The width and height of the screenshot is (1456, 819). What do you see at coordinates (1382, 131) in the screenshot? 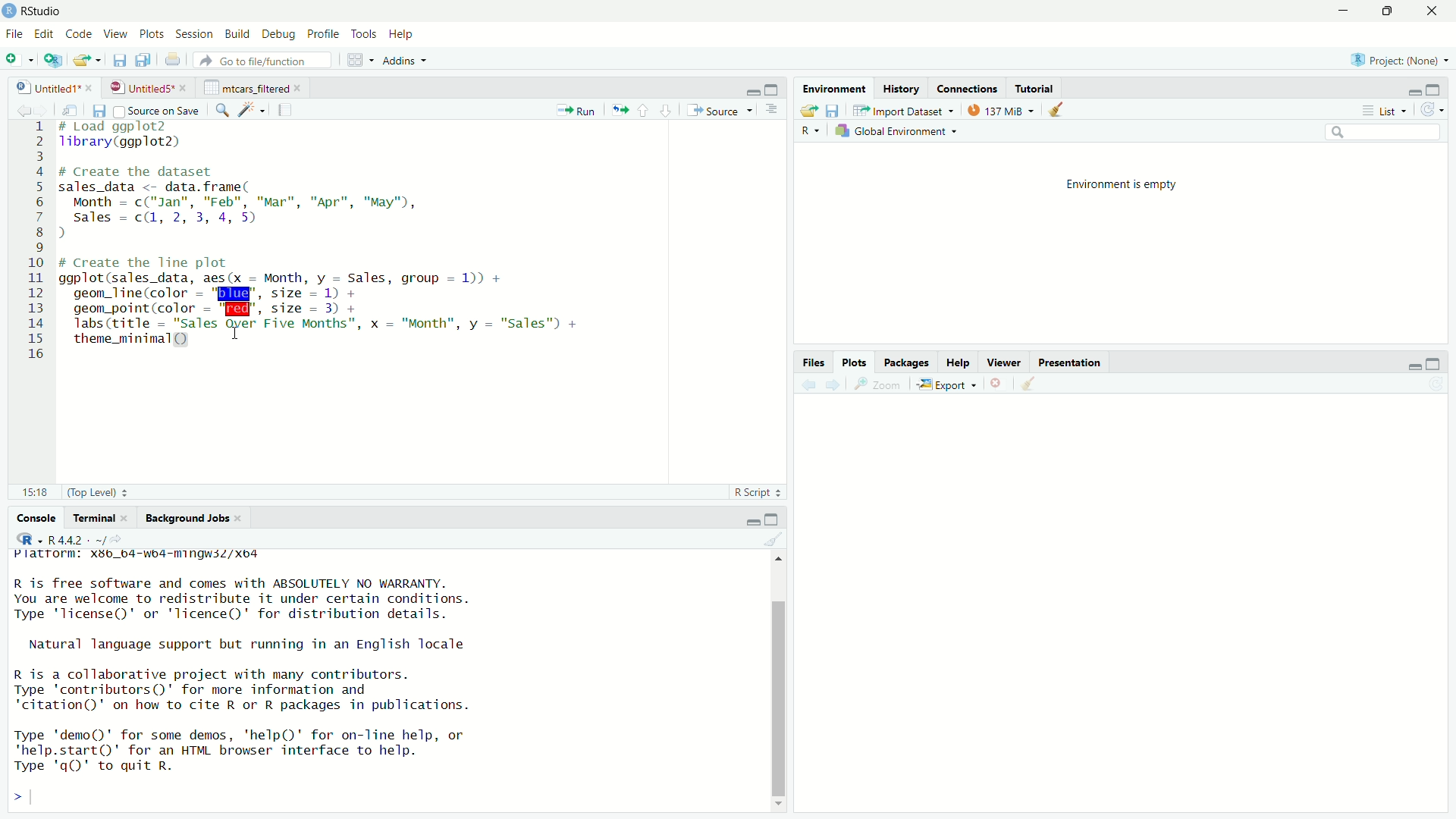
I see `search bar` at bounding box center [1382, 131].